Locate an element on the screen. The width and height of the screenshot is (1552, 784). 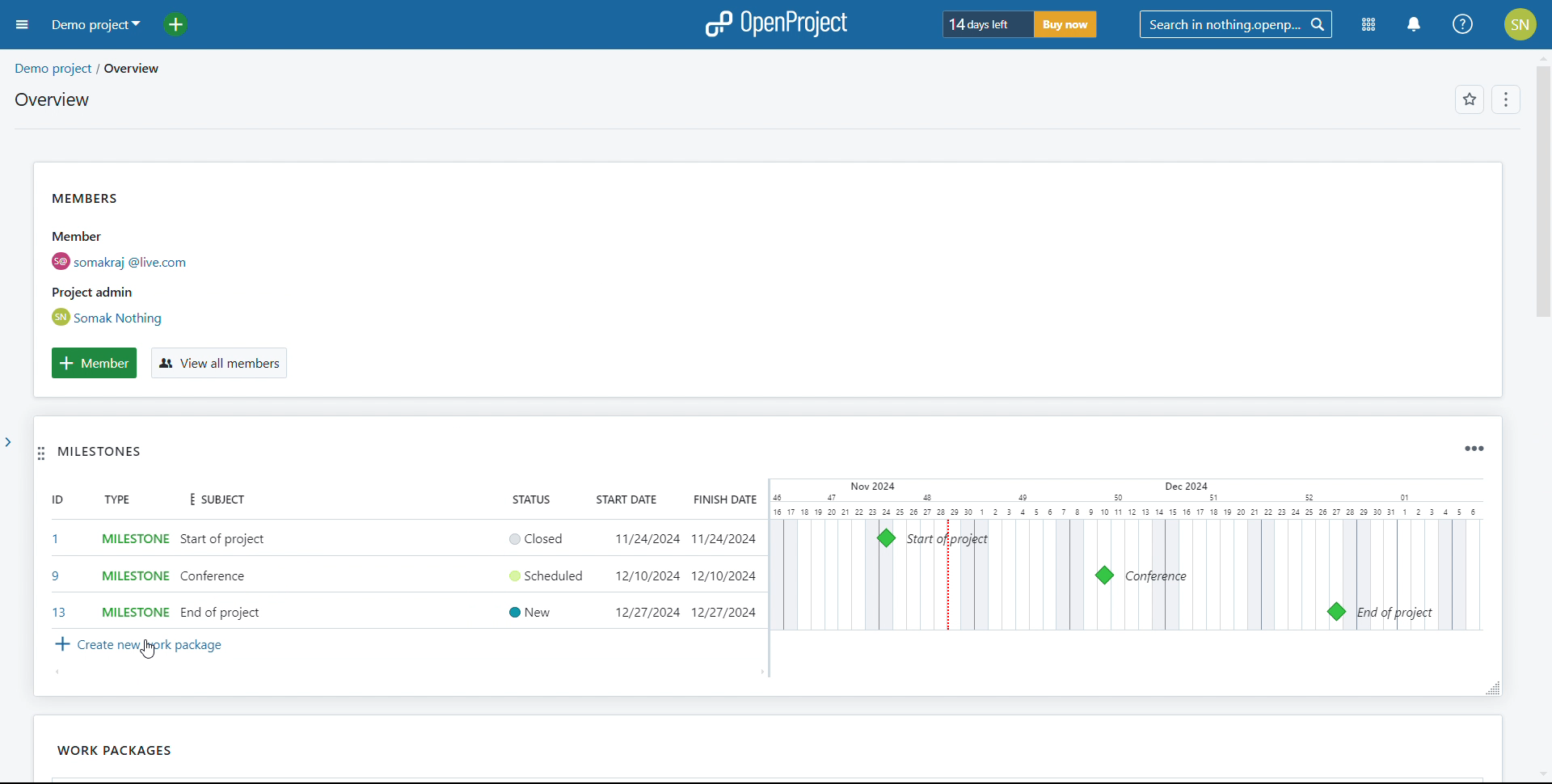
search is located at coordinates (1235, 25).